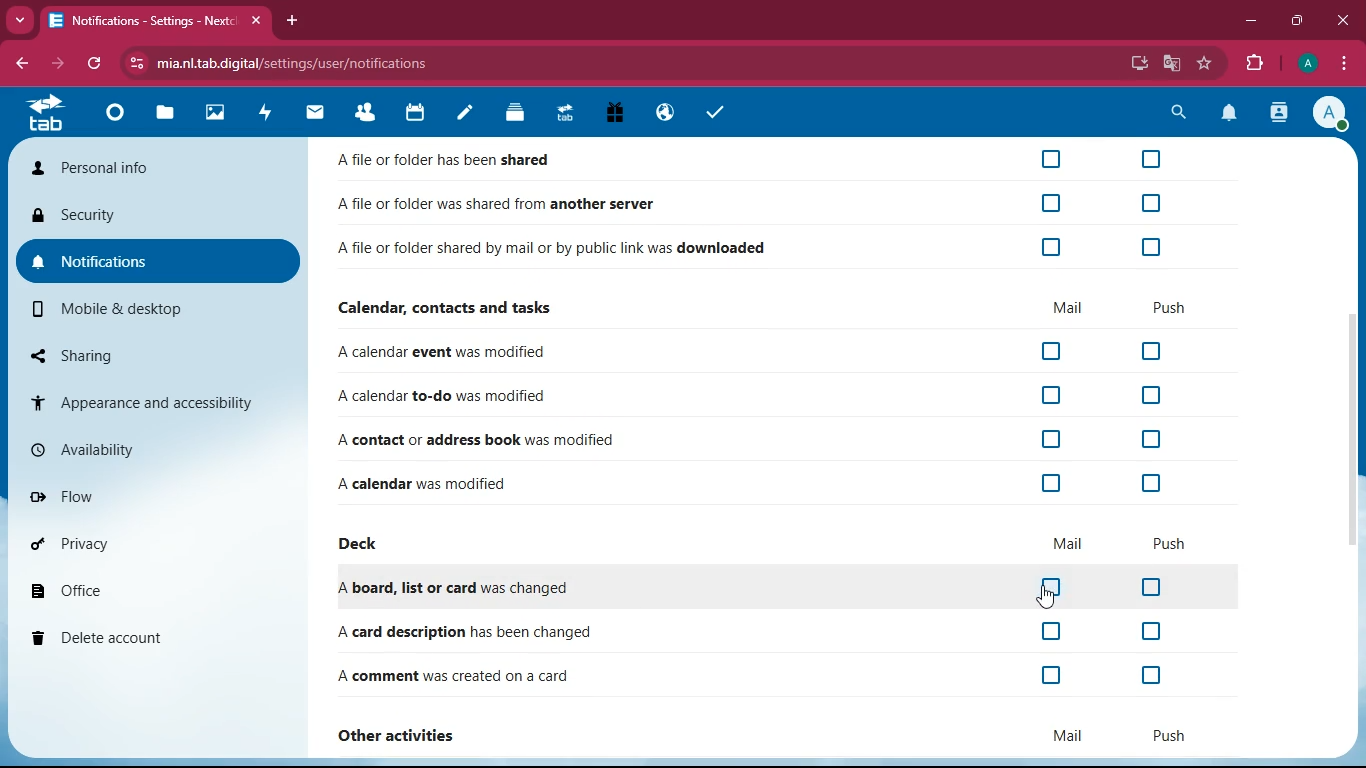 Image resolution: width=1366 pixels, height=768 pixels. I want to click on push, so click(1162, 304).